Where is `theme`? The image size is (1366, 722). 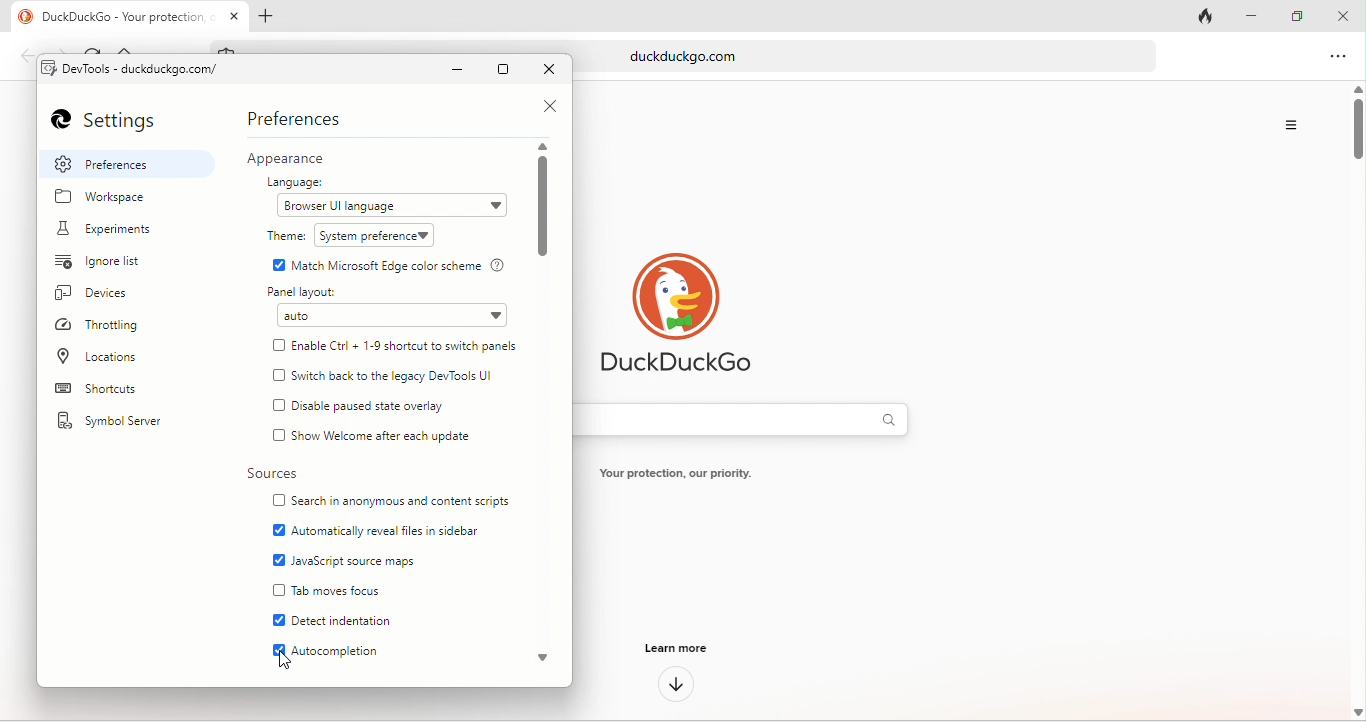 theme is located at coordinates (285, 237).